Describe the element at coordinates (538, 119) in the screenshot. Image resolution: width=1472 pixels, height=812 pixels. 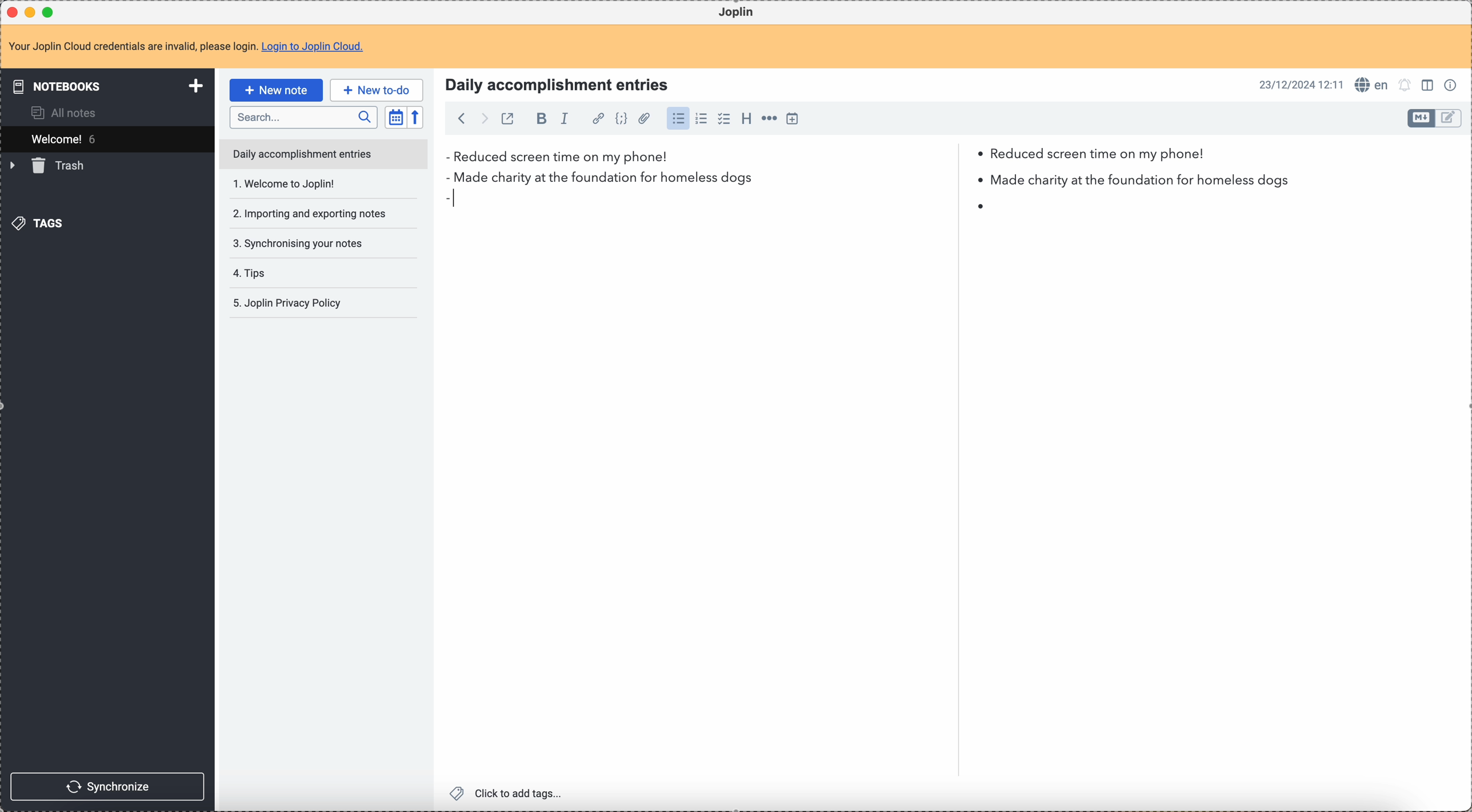
I see `bold` at that location.